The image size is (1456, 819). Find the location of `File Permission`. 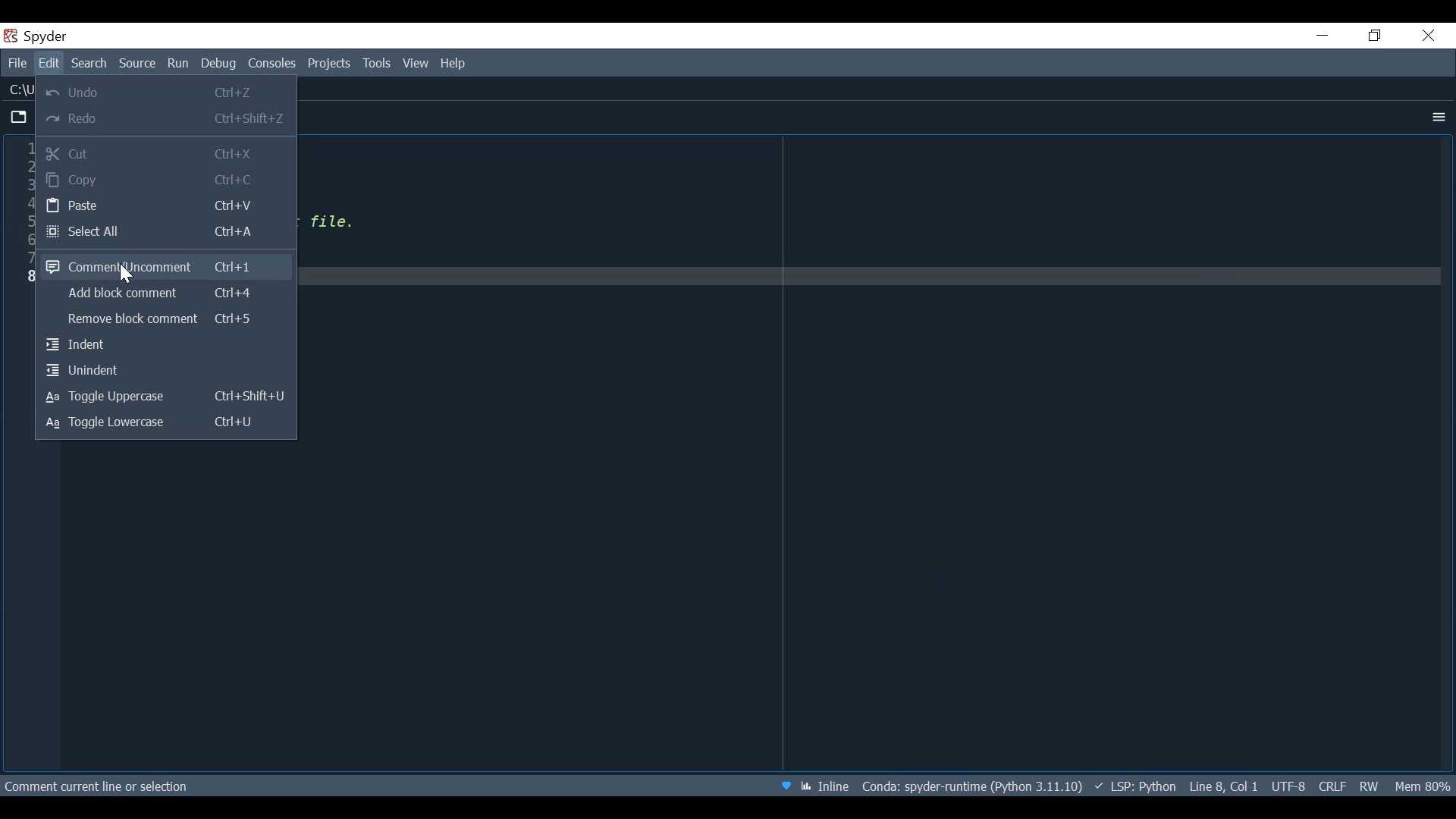

File Permission is located at coordinates (1369, 786).